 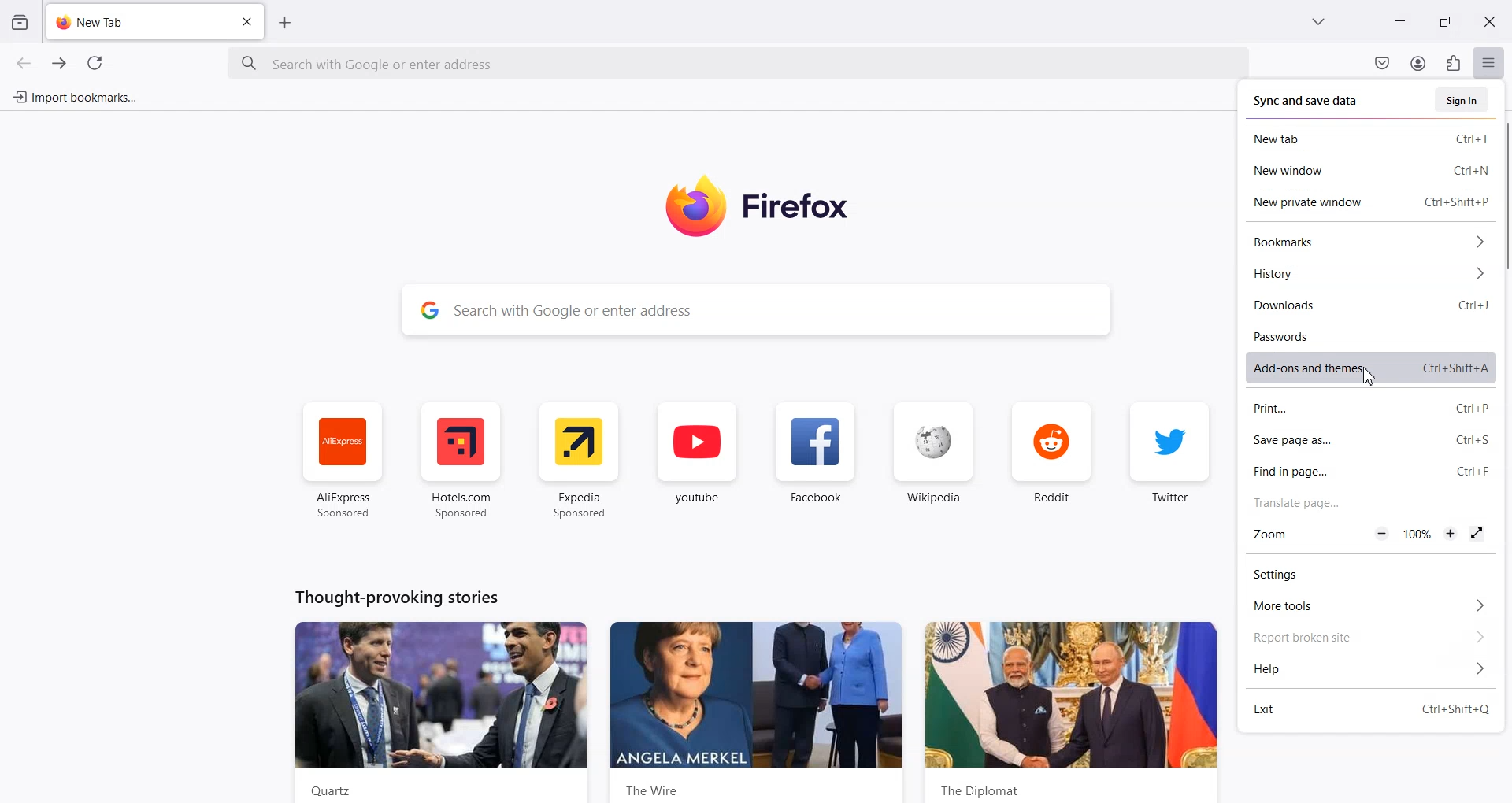 I want to click on Minimize, so click(x=1400, y=21).